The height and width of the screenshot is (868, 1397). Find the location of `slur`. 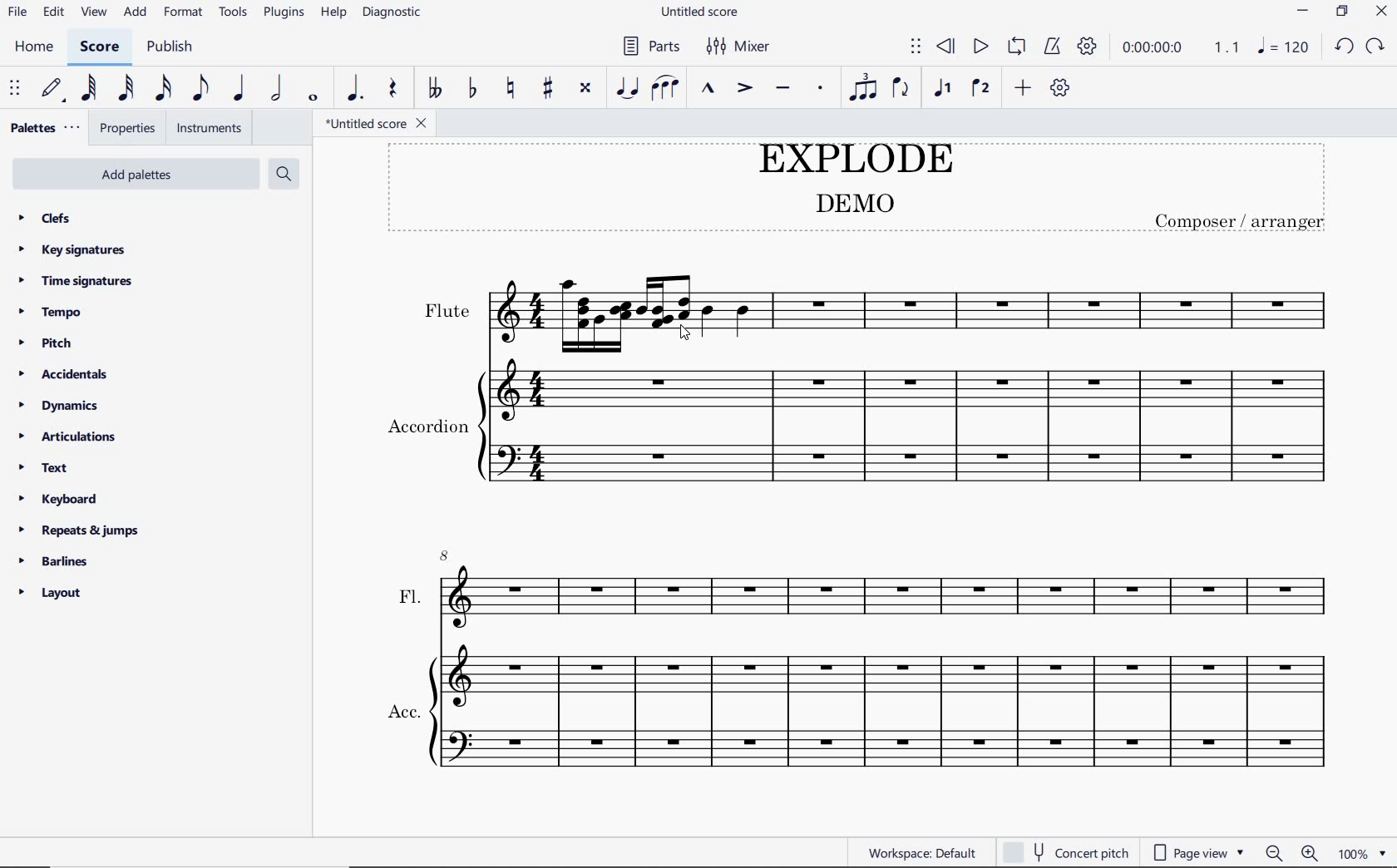

slur is located at coordinates (665, 88).